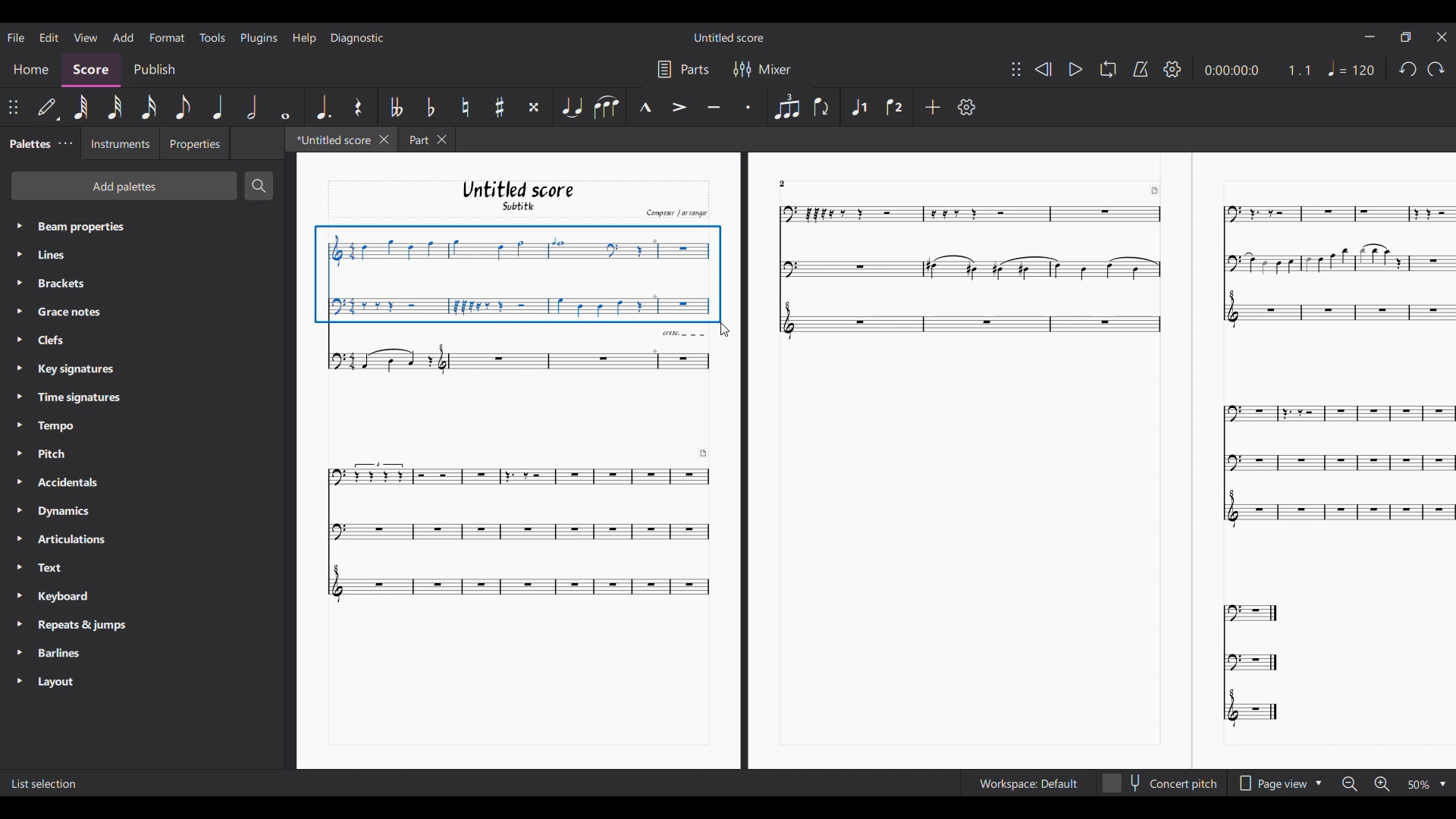 Image resolution: width=1456 pixels, height=819 pixels. Describe the element at coordinates (972, 319) in the screenshot. I see `` at that location.